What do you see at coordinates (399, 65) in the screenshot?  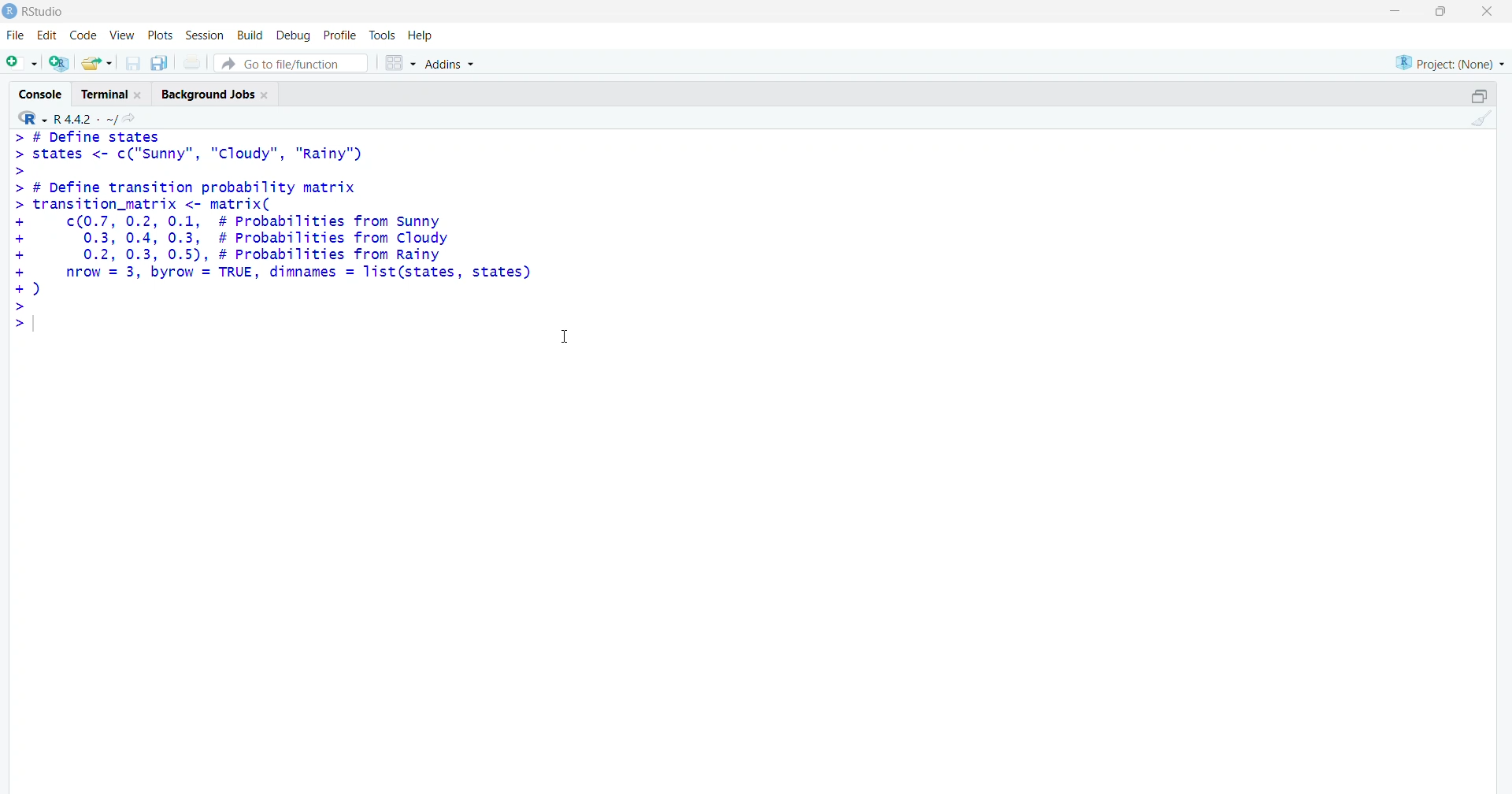 I see `workspace panes` at bounding box center [399, 65].